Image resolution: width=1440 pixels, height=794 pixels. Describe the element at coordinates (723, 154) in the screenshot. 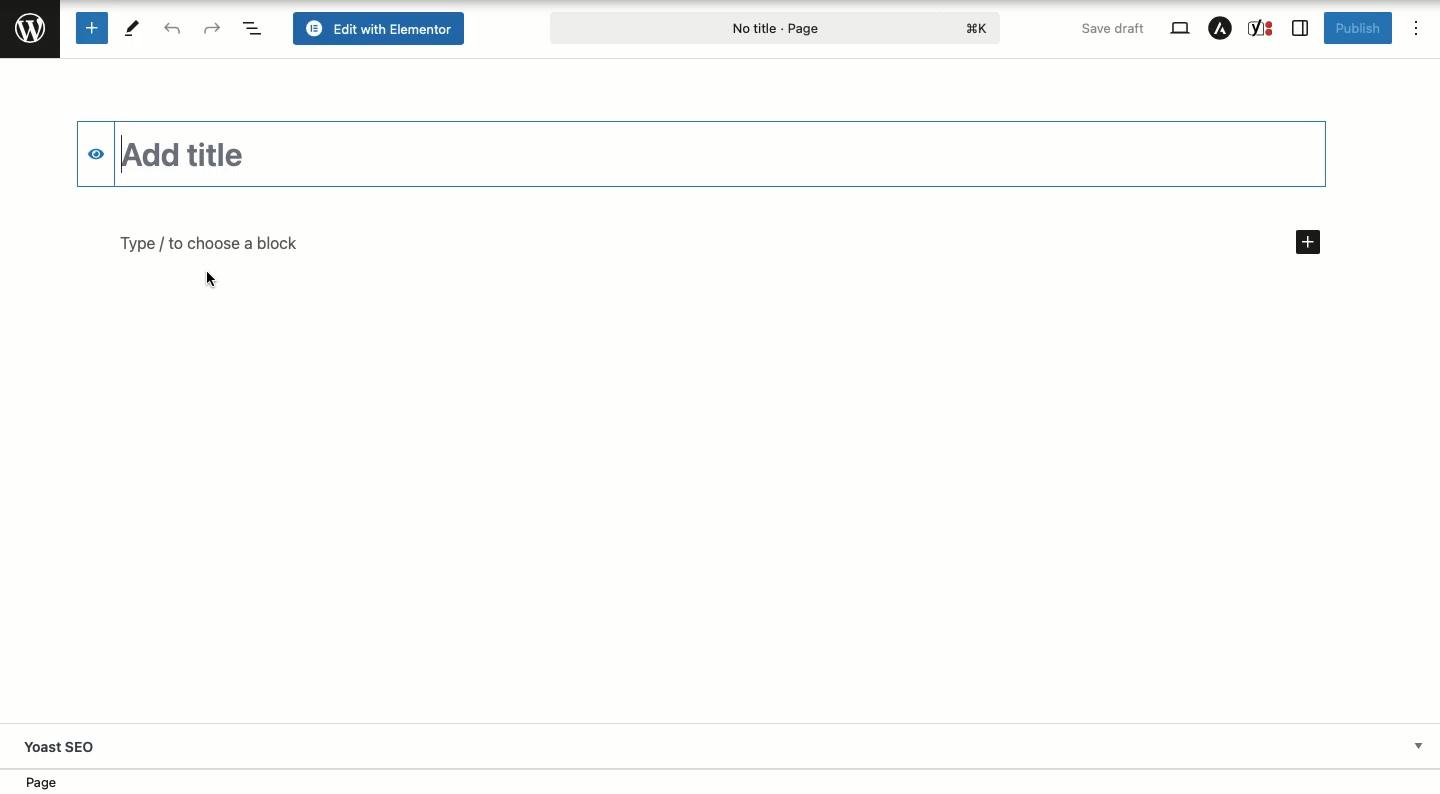

I see `Add title` at that location.